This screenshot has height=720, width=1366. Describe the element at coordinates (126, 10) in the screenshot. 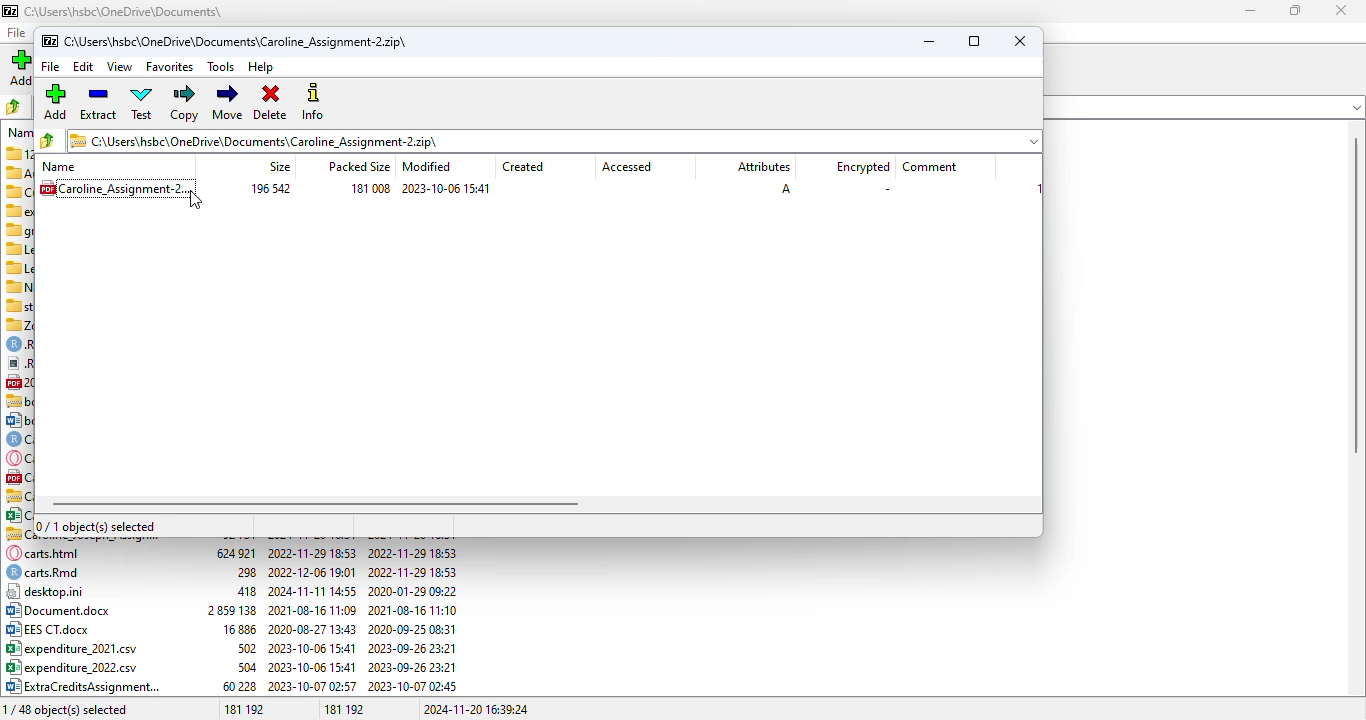

I see `file name` at that location.